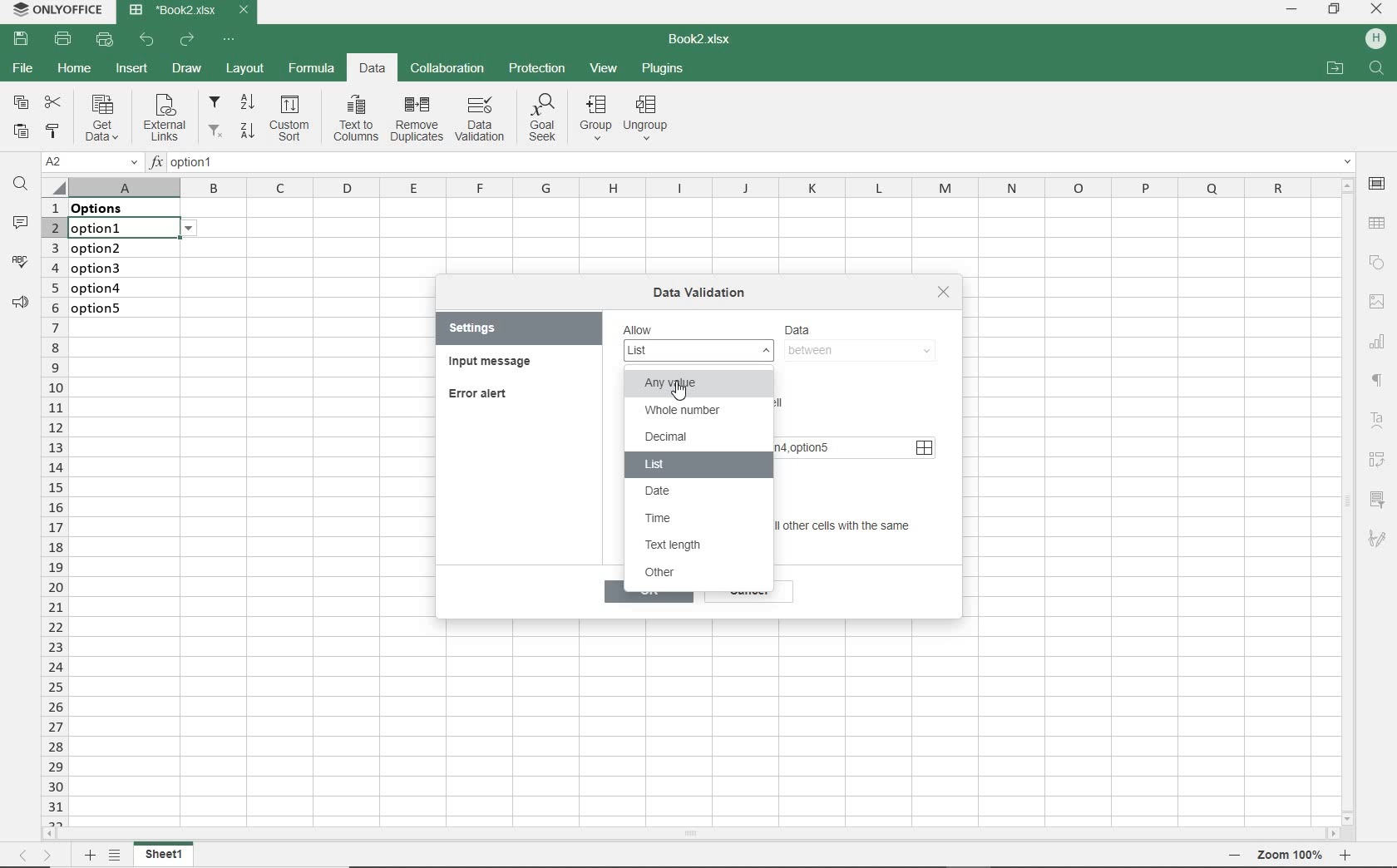 The image size is (1397, 868). I want to click on cancel, so click(751, 593).